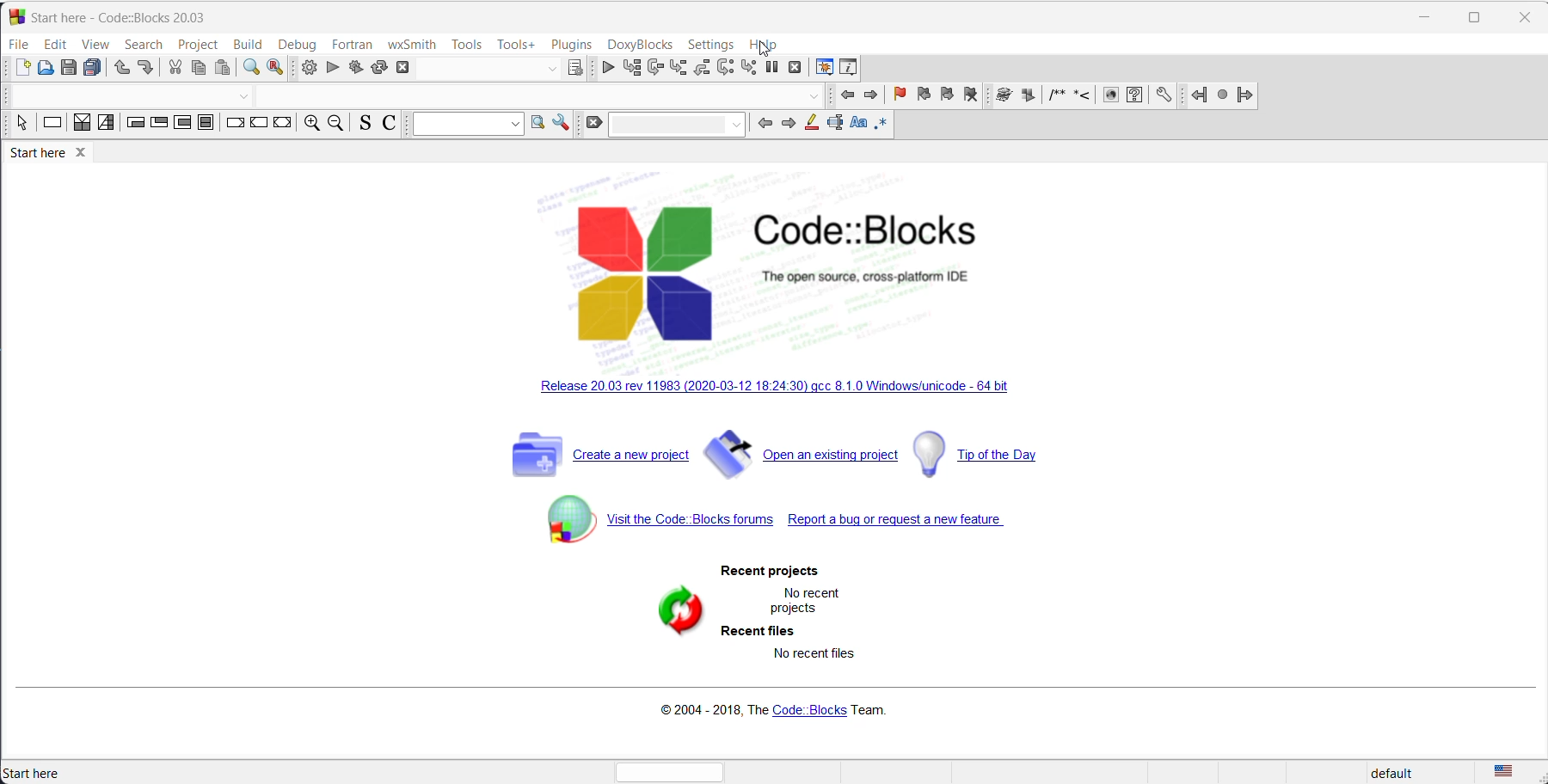  I want to click on redo, so click(145, 68).